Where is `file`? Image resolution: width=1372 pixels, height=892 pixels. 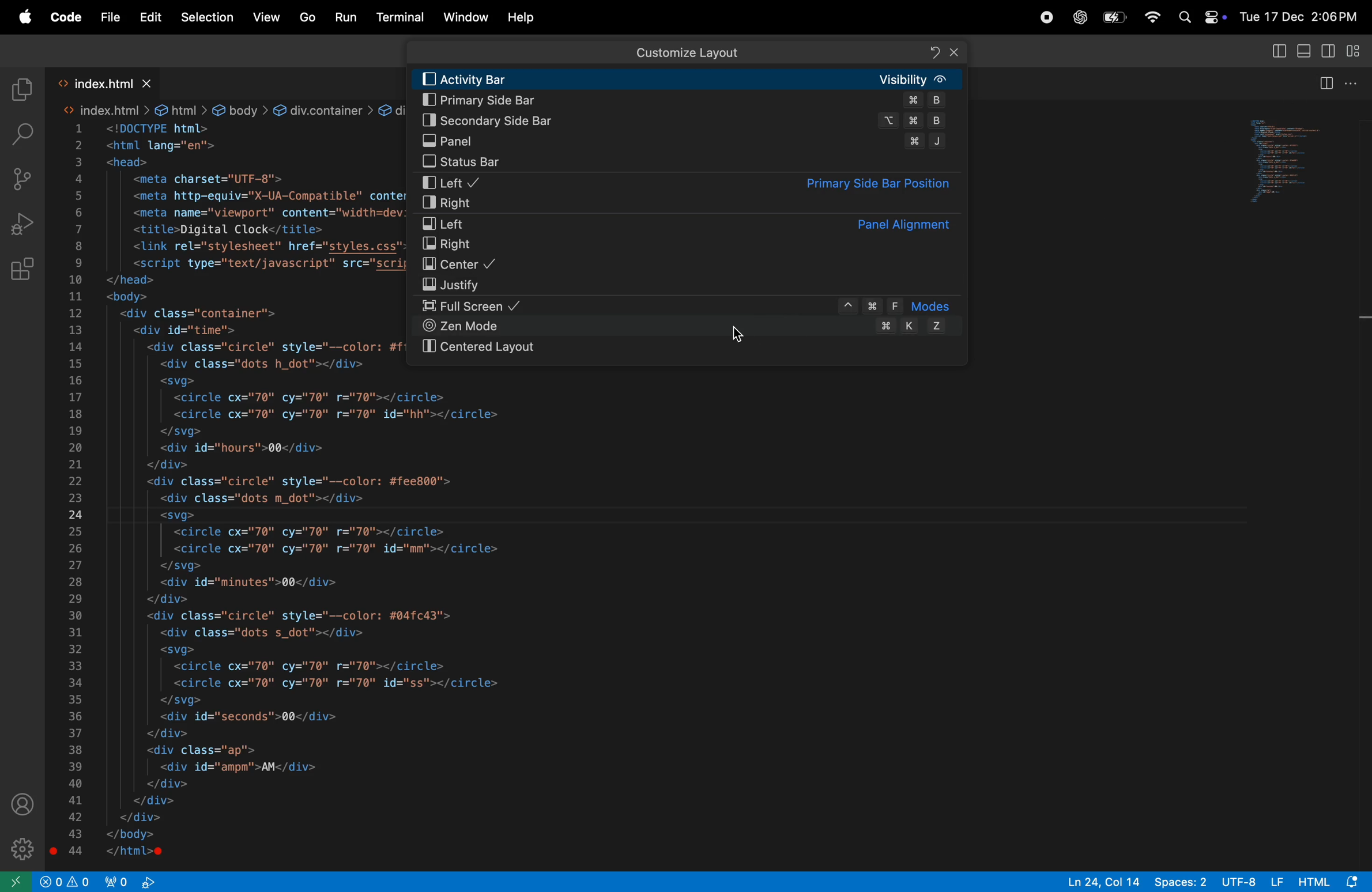 file is located at coordinates (111, 19).